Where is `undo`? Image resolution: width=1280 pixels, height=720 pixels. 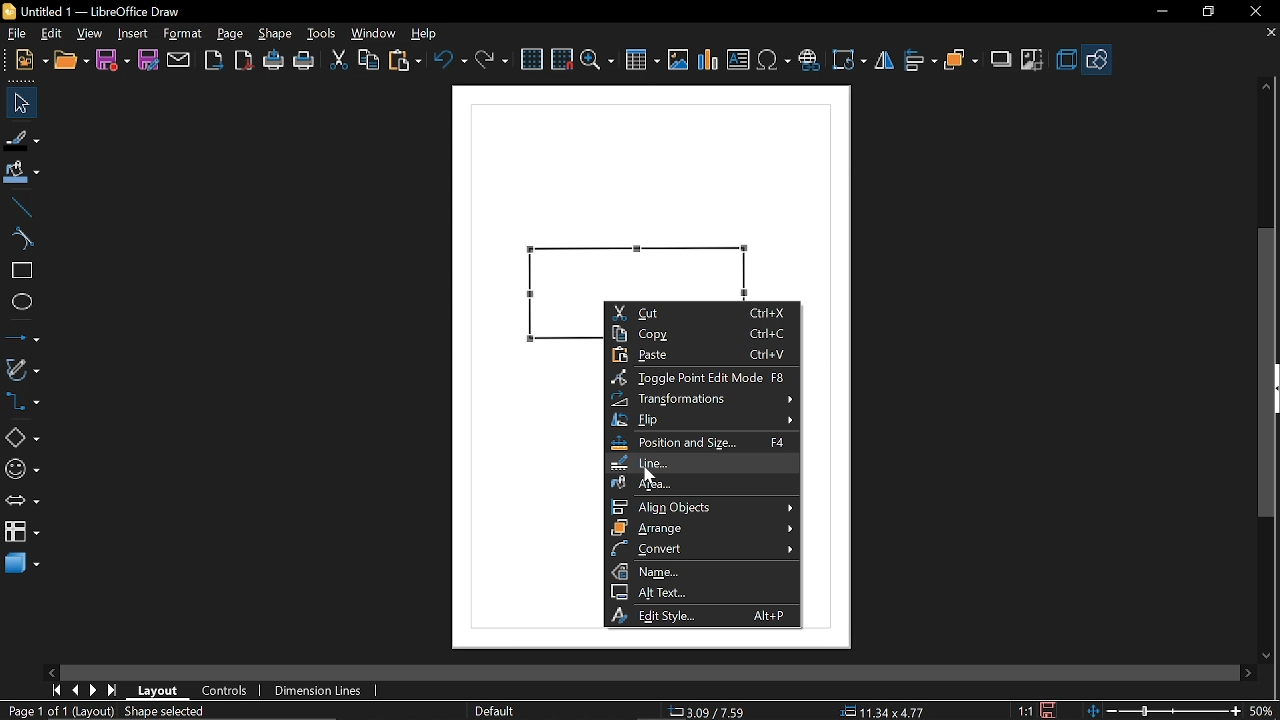
undo is located at coordinates (451, 63).